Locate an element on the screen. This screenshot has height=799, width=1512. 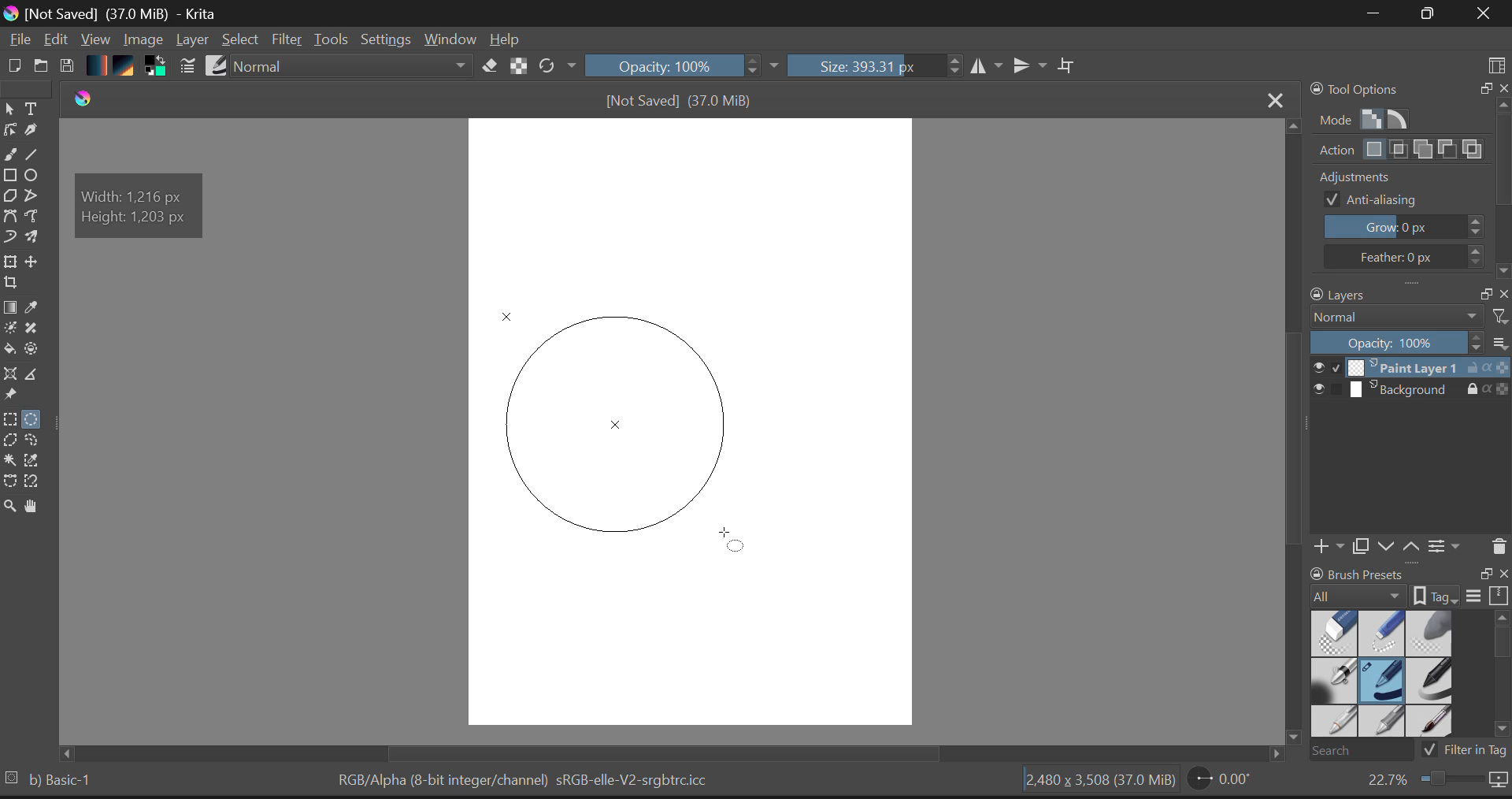
Freehand Path Tool is located at coordinates (36, 217).